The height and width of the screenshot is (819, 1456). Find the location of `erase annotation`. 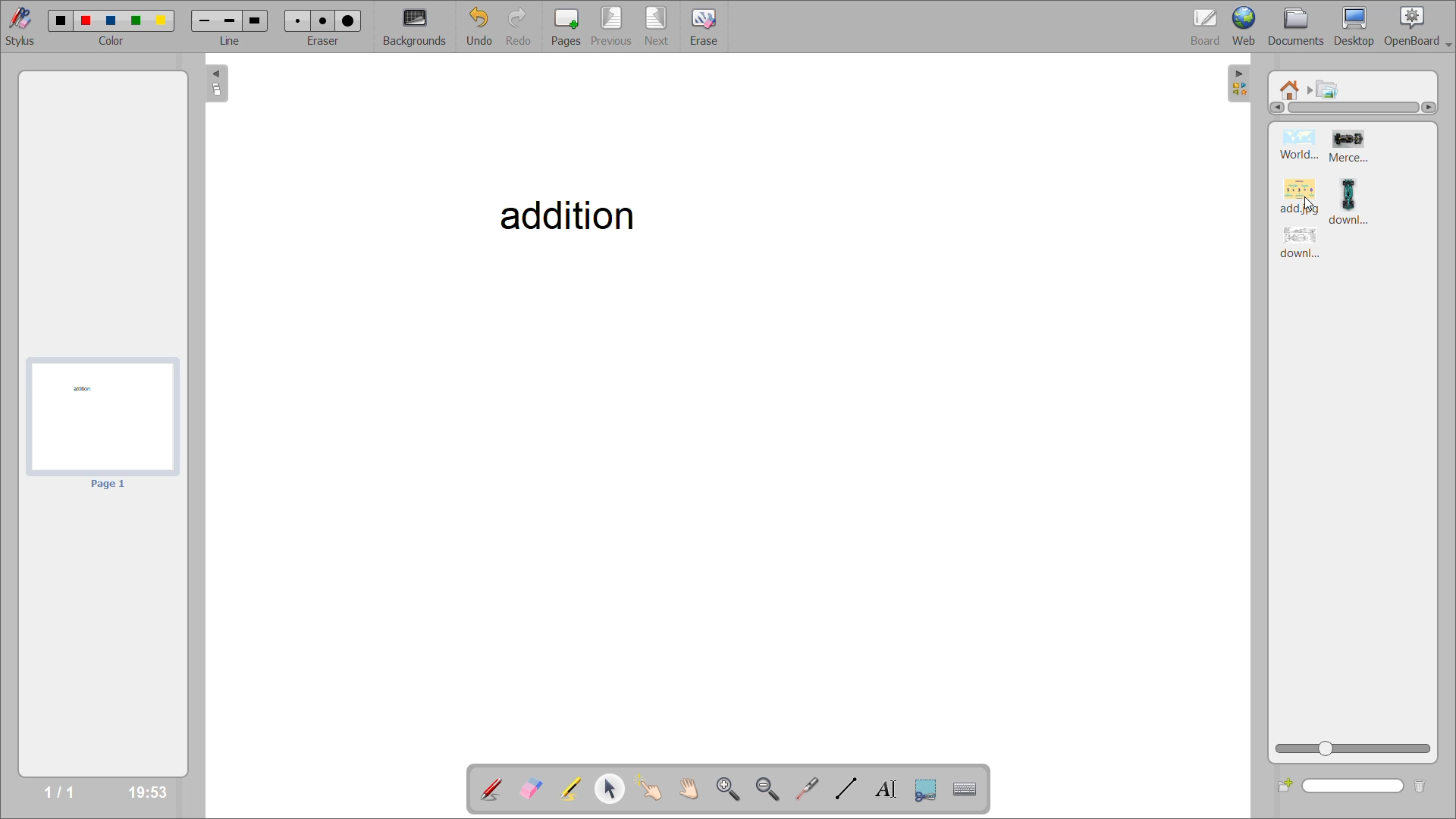

erase annotation is located at coordinates (532, 789).